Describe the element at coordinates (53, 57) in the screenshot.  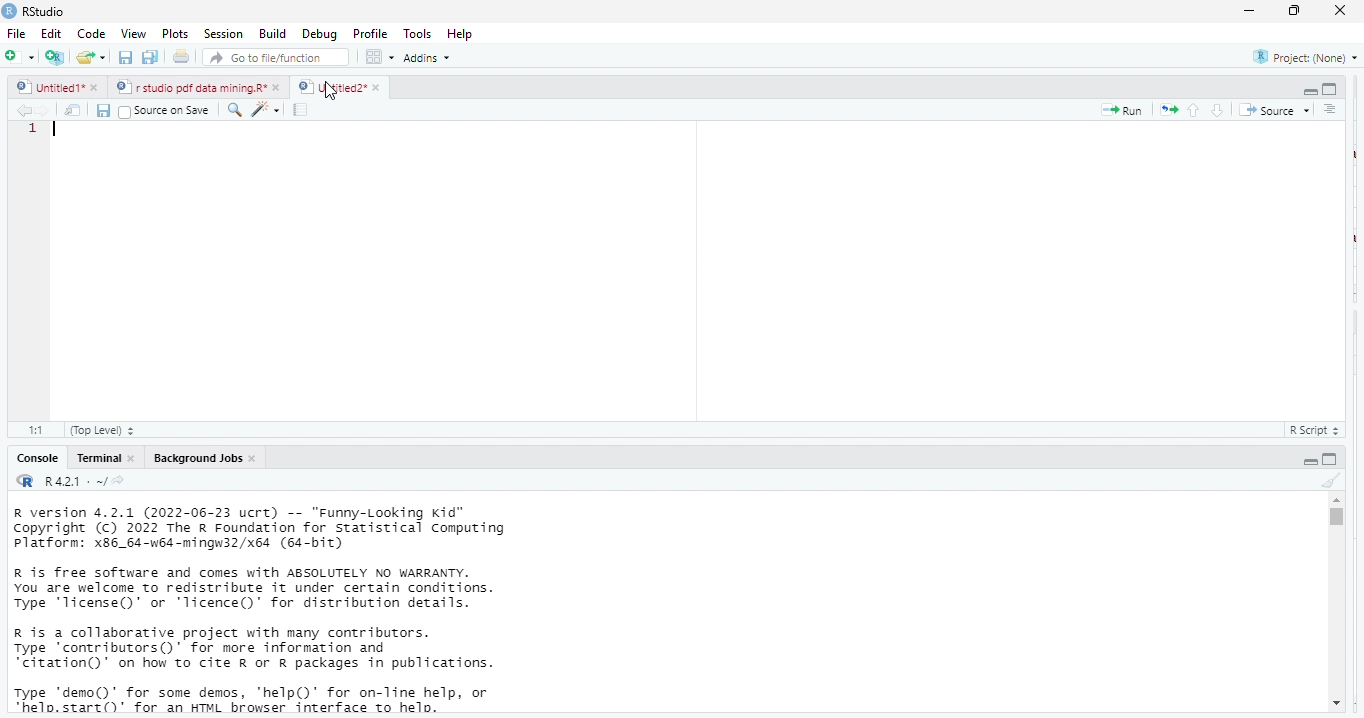
I see `create a project` at that location.